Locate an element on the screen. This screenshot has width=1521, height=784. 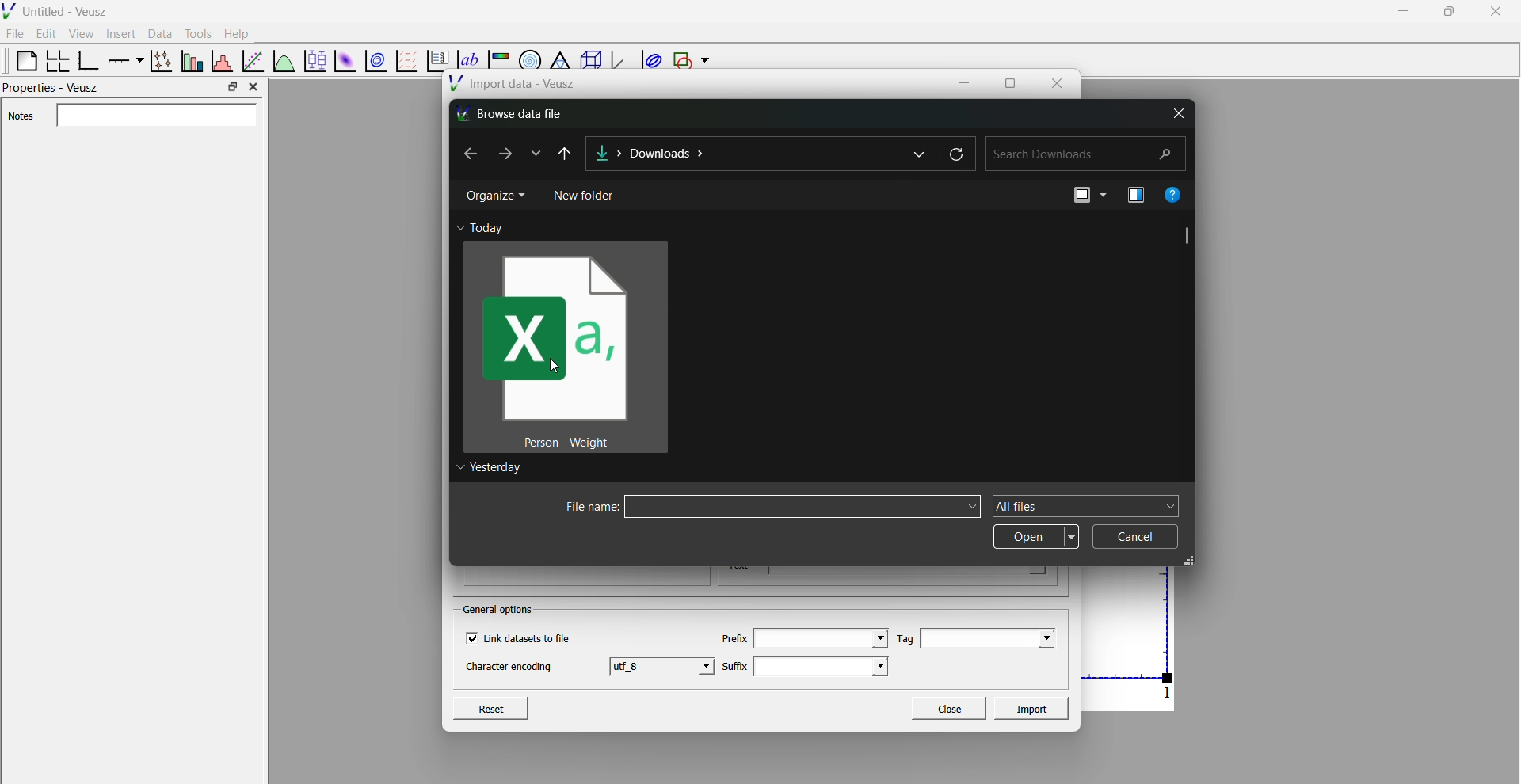
maximize property bar is located at coordinates (233, 87).